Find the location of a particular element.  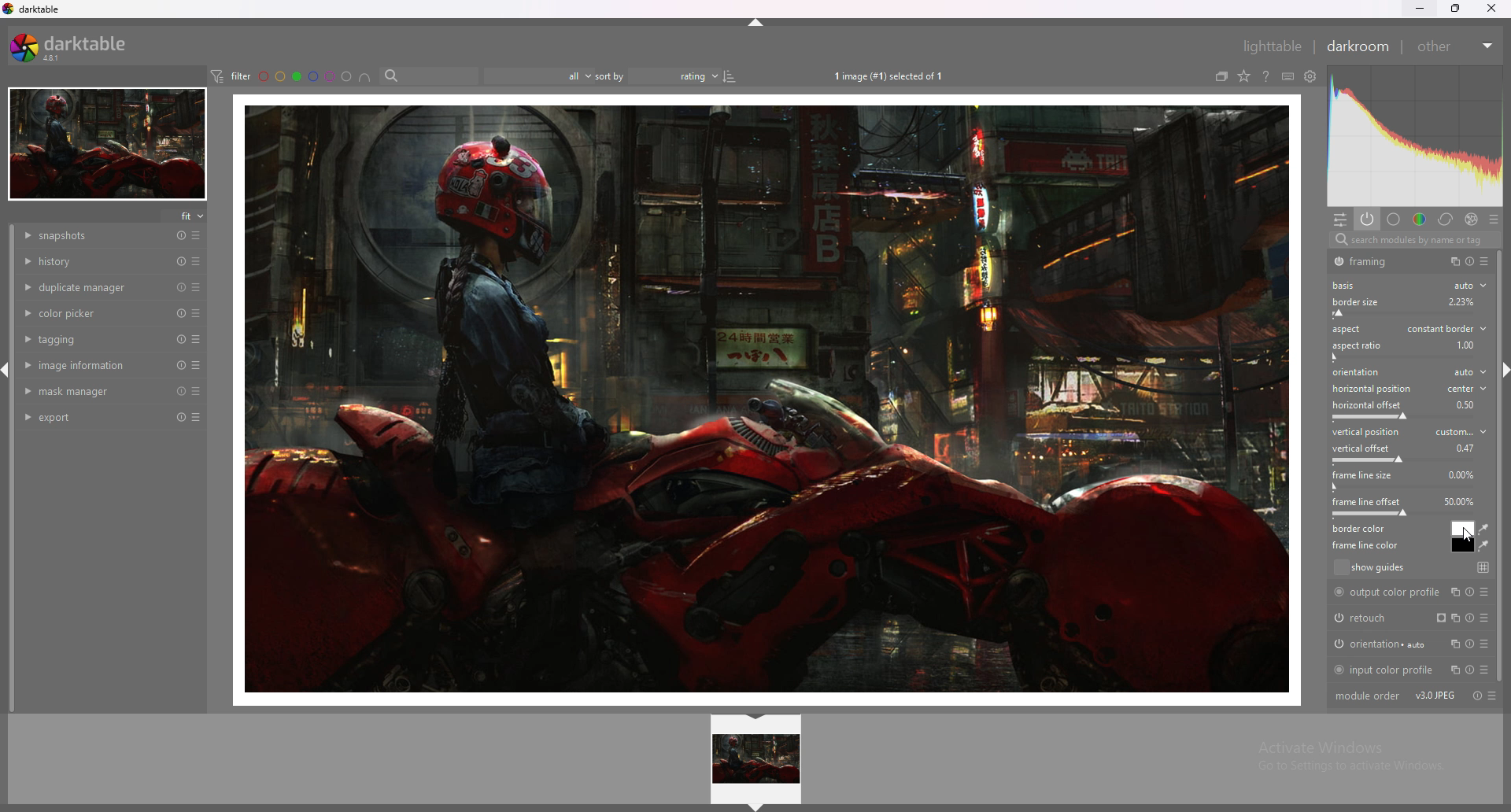

show active modules is located at coordinates (1365, 219).